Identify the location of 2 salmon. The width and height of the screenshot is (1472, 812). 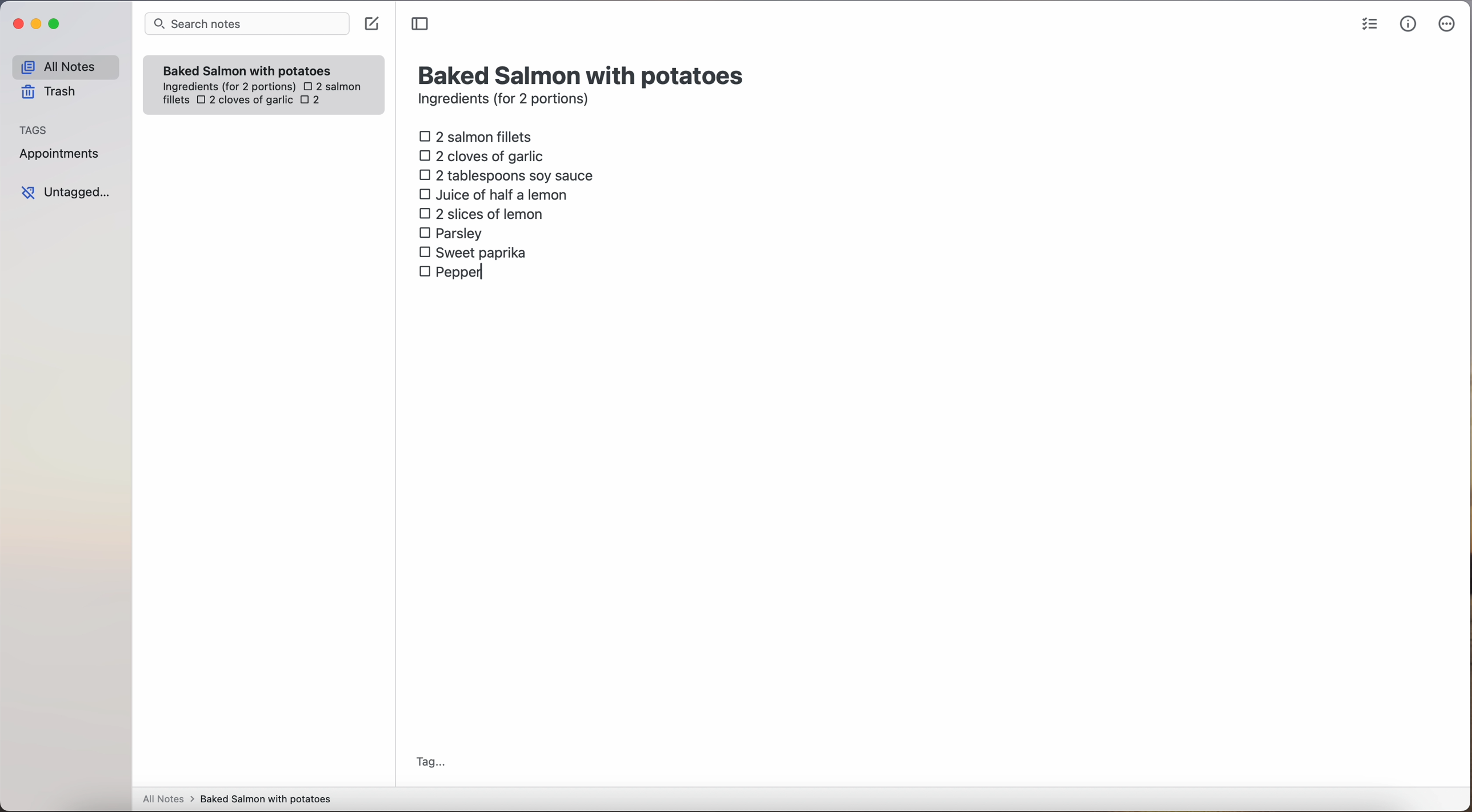
(331, 85).